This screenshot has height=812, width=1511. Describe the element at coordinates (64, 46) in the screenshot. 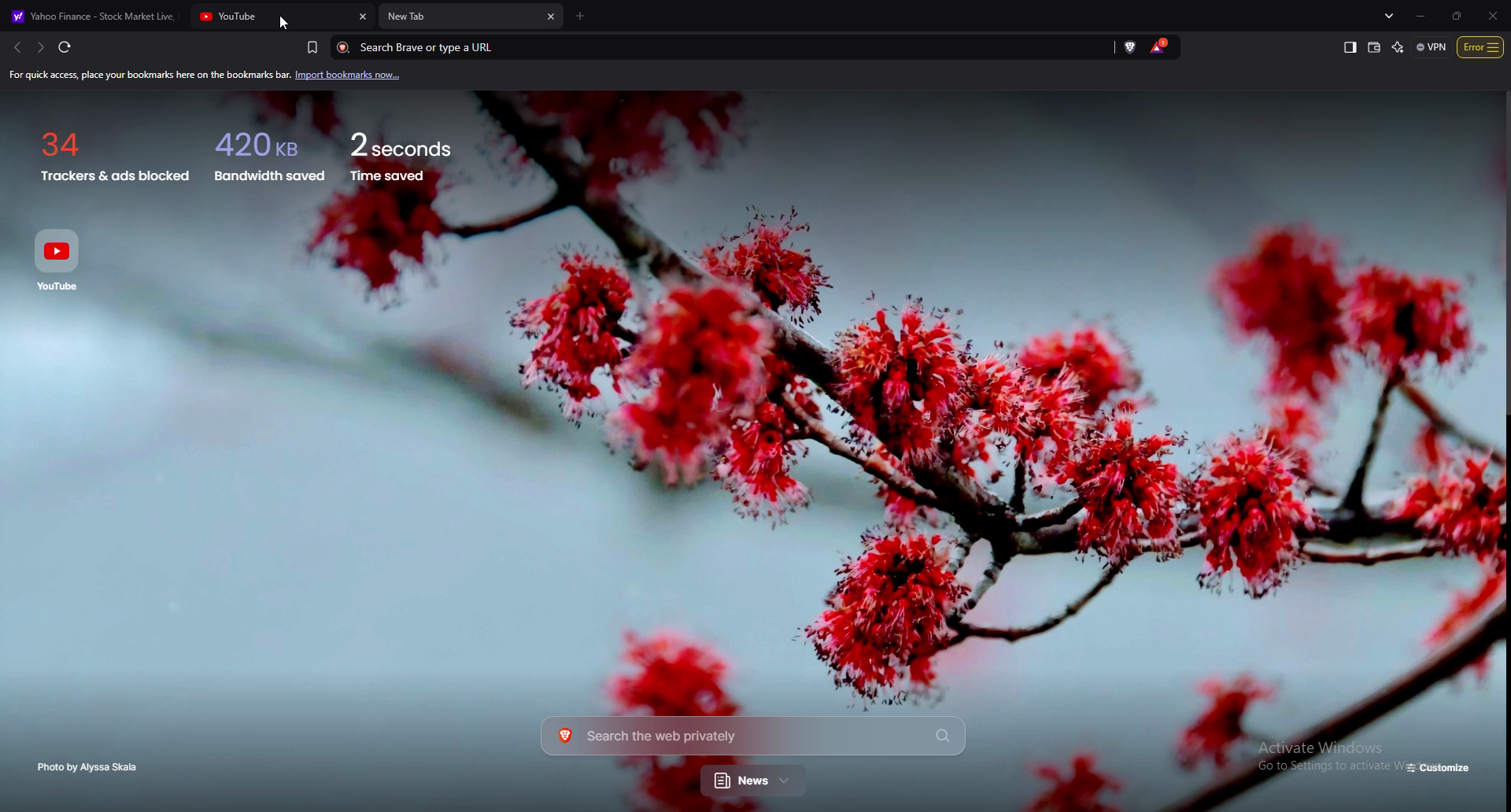

I see `reload` at that location.